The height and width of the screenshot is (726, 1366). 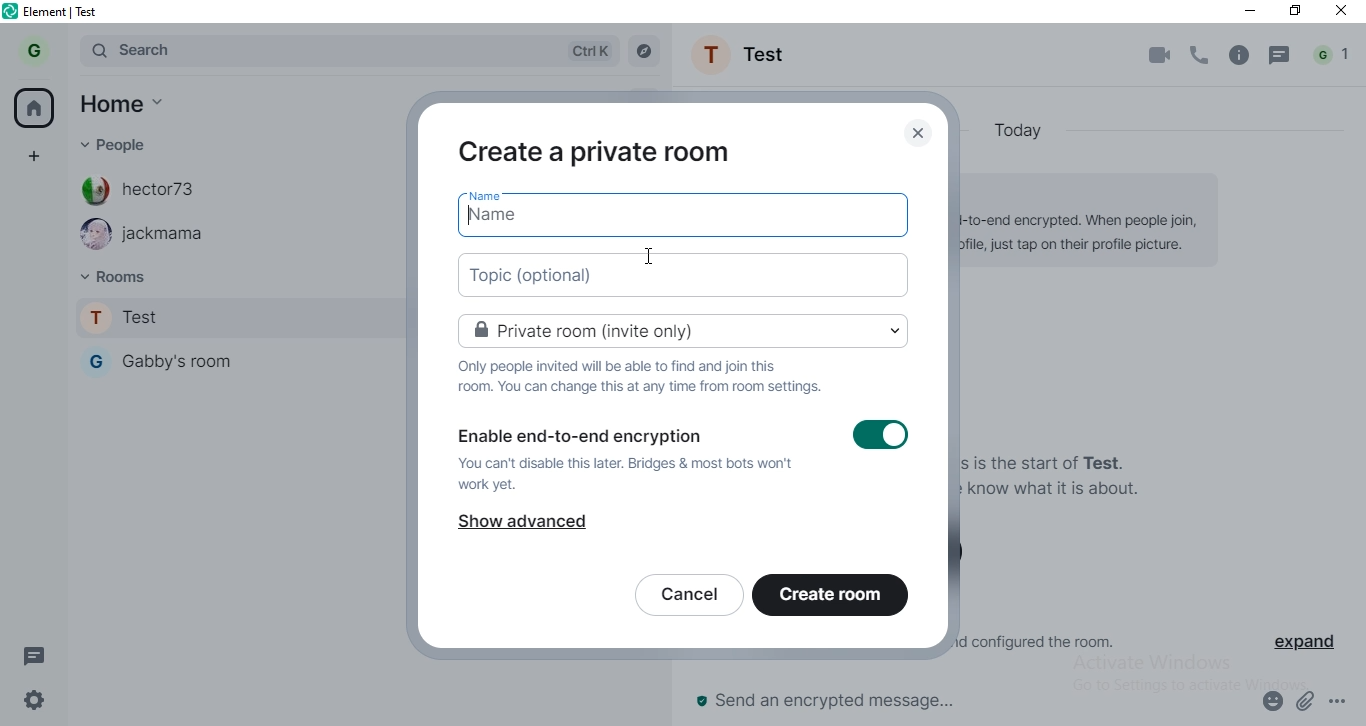 What do you see at coordinates (1304, 643) in the screenshot?
I see `expand` at bounding box center [1304, 643].